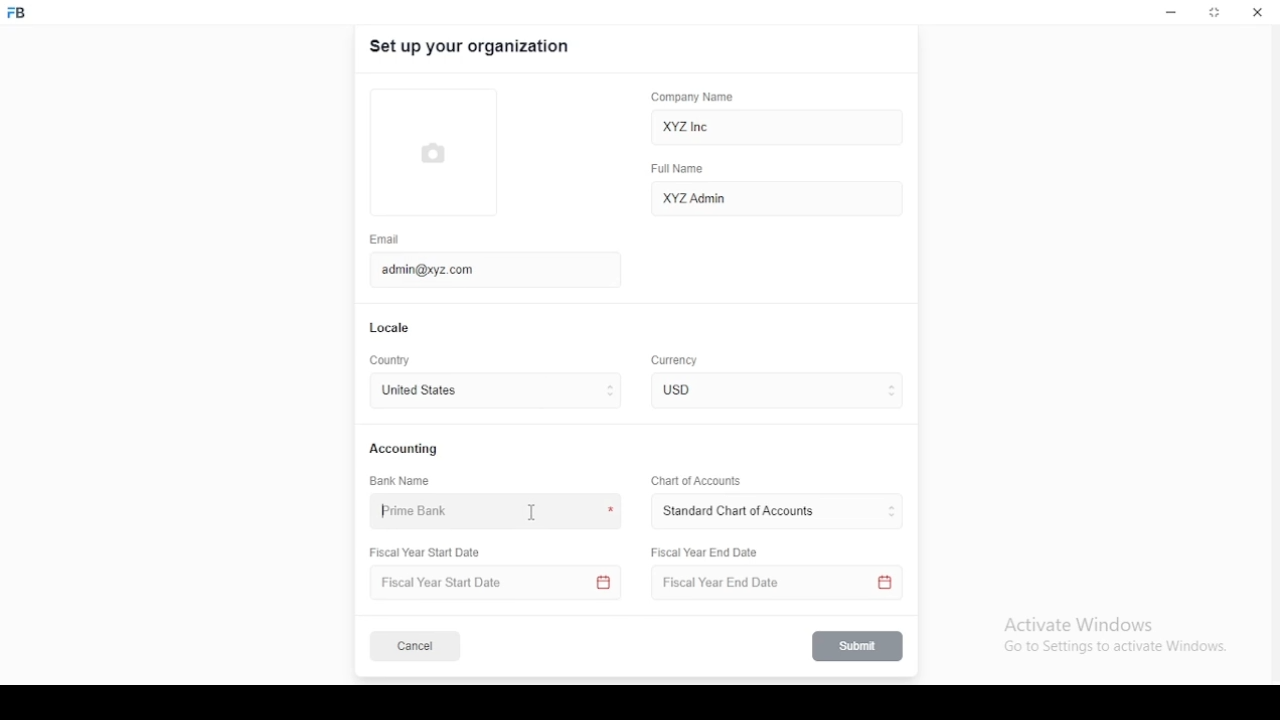 This screenshot has width=1280, height=720. What do you see at coordinates (779, 128) in the screenshot?
I see `XYZ Inc` at bounding box center [779, 128].